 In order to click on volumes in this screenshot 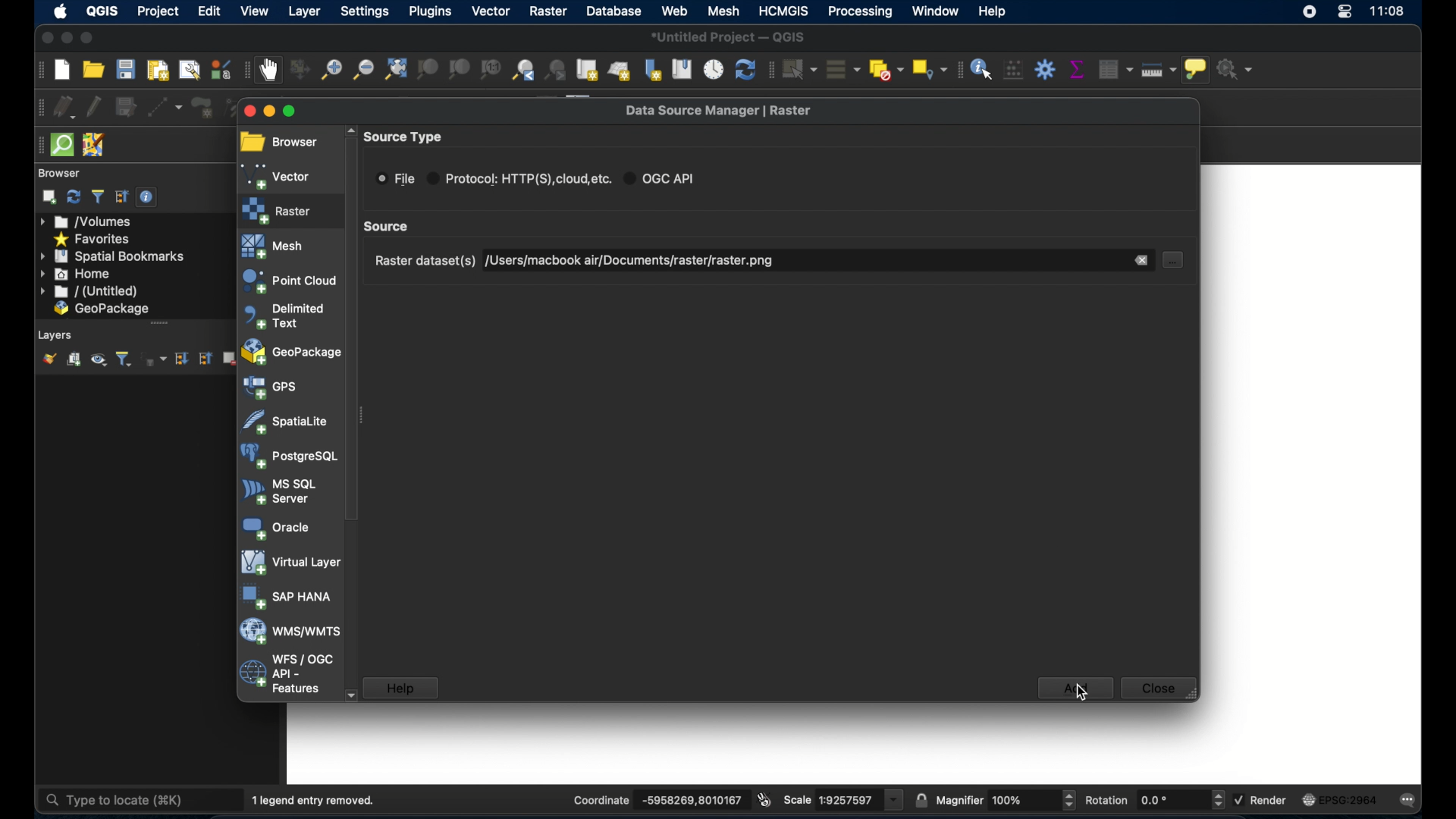, I will do `click(87, 222)`.